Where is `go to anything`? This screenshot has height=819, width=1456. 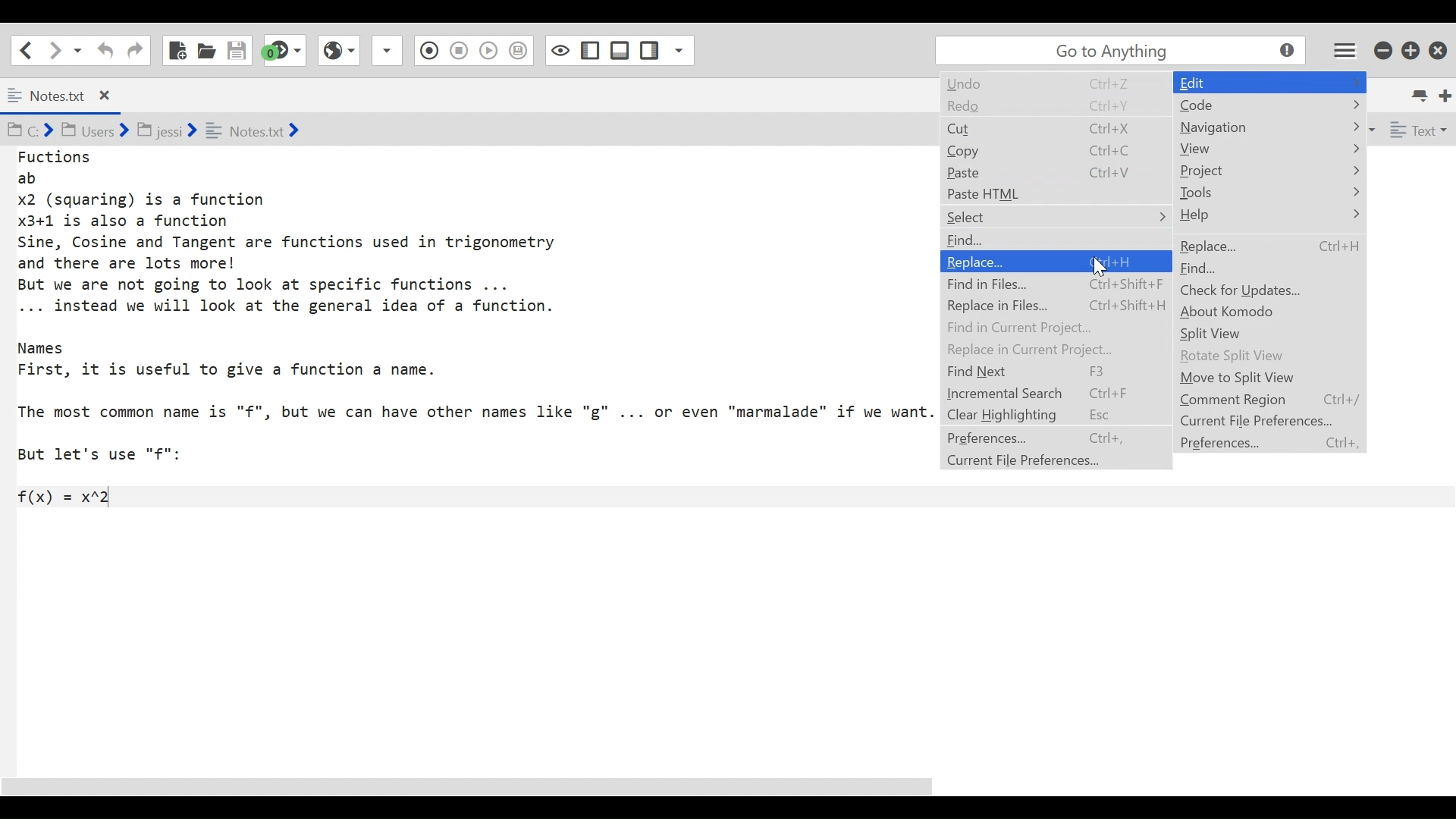
go to anything is located at coordinates (1124, 51).